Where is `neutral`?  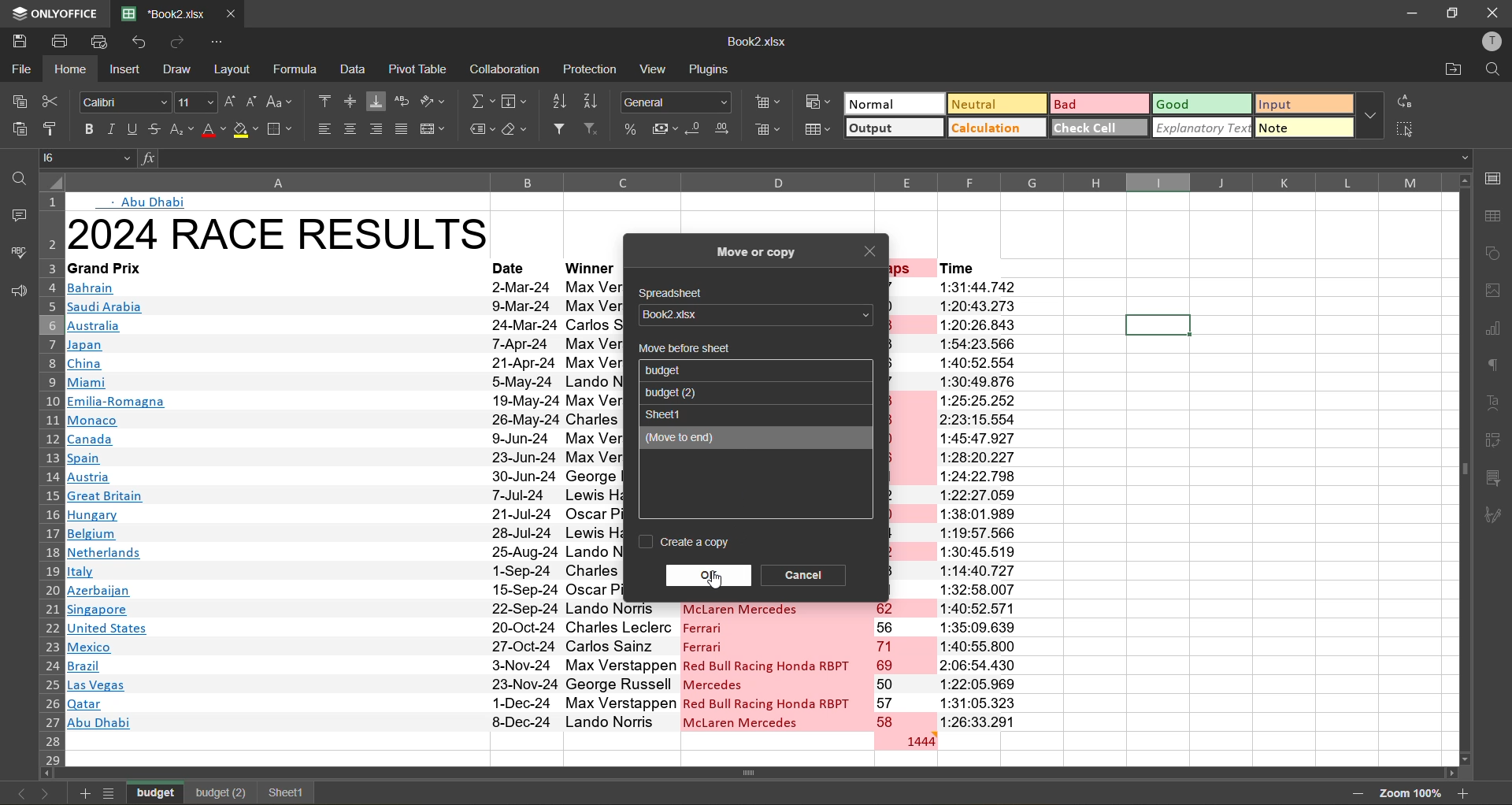 neutral is located at coordinates (994, 103).